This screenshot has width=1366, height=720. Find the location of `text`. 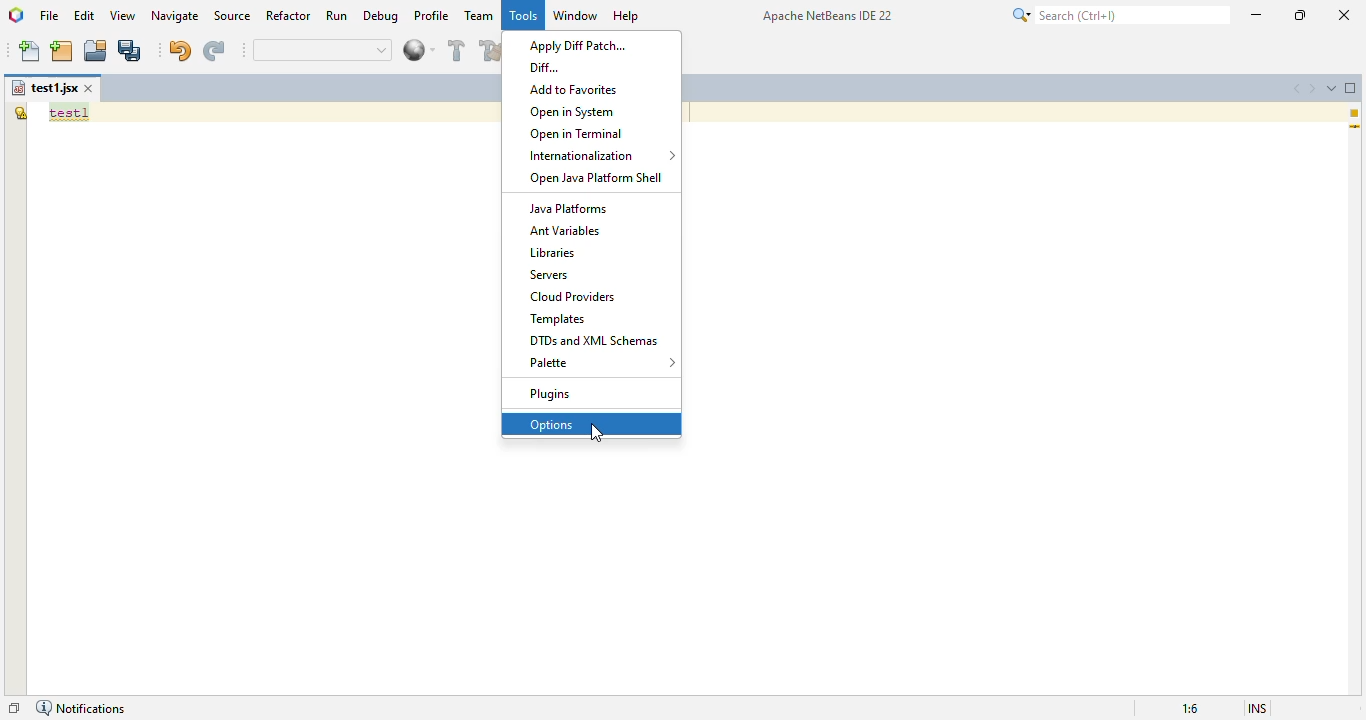

text is located at coordinates (69, 113).